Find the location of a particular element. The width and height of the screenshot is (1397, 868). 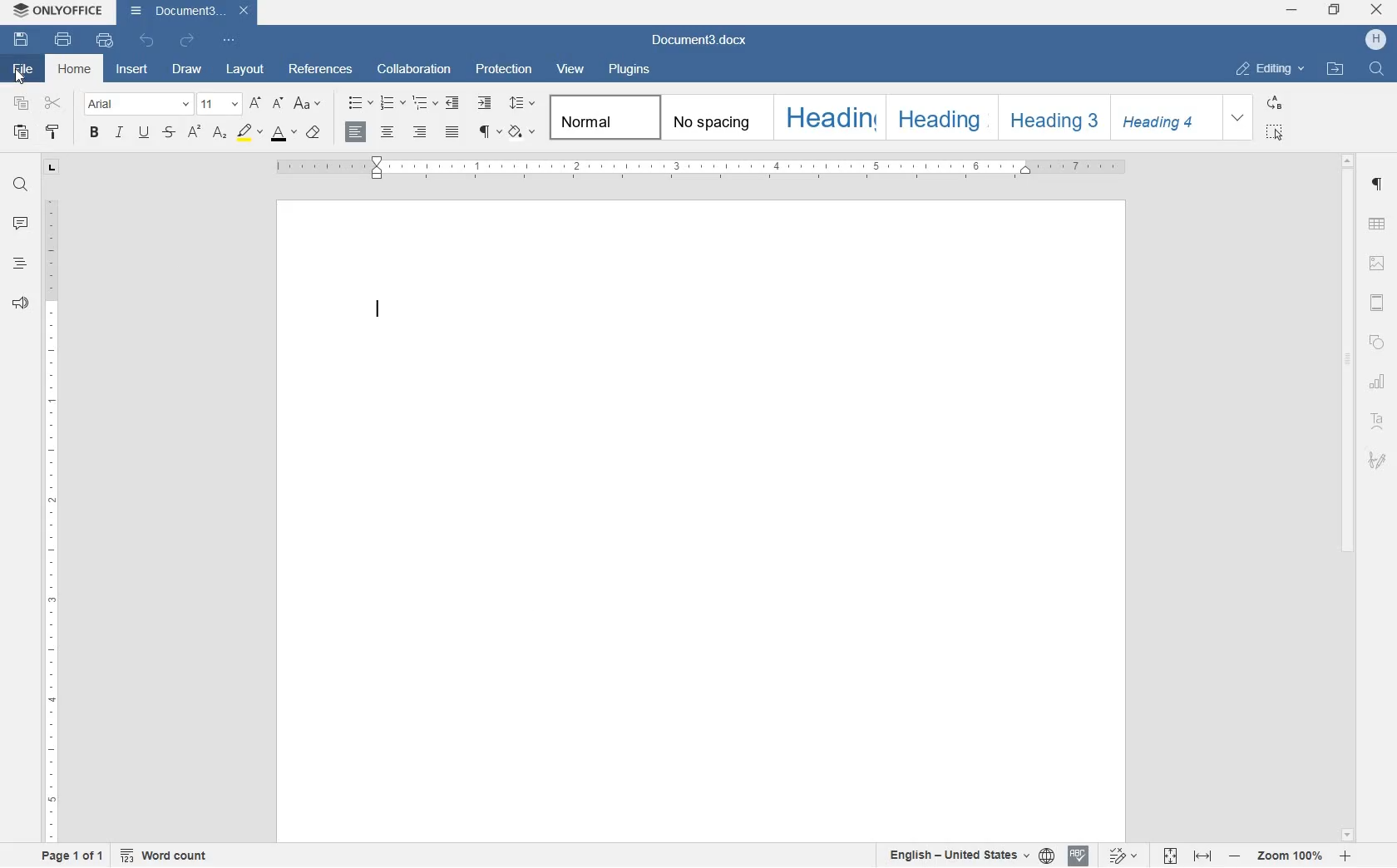

L is located at coordinates (50, 168).